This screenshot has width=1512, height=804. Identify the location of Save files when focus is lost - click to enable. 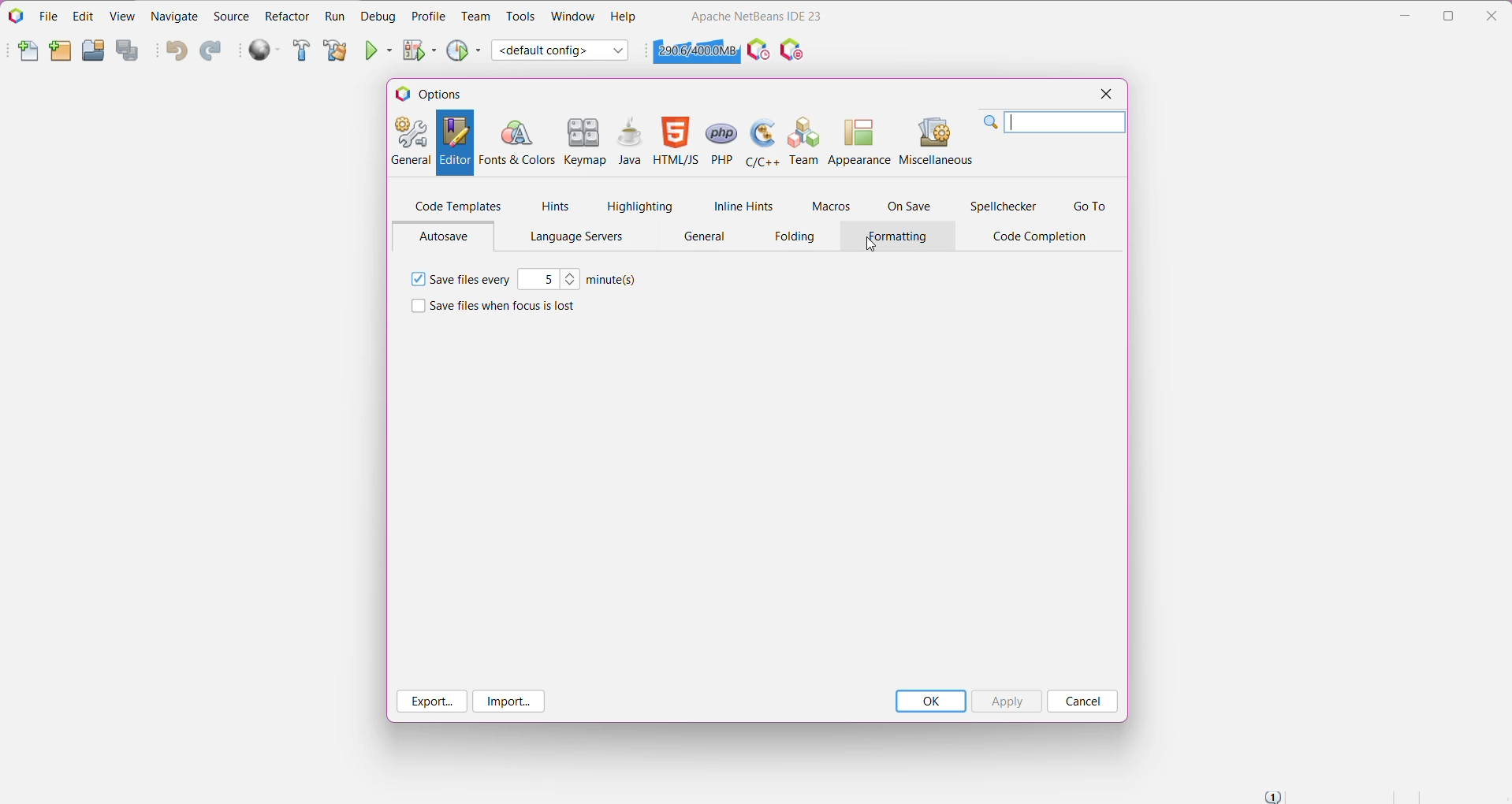
(504, 307).